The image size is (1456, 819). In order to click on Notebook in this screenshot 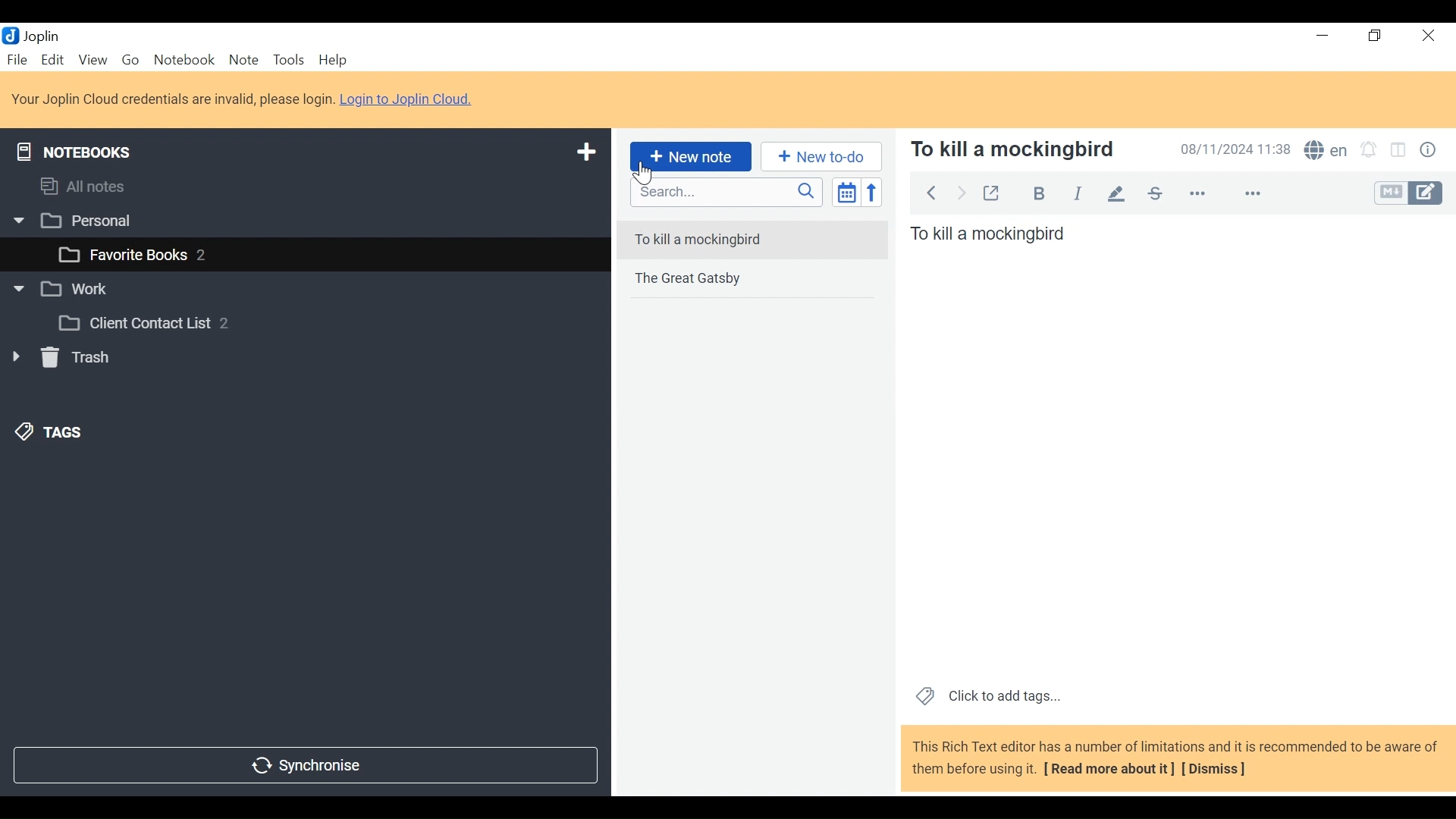, I will do `click(184, 61)`.